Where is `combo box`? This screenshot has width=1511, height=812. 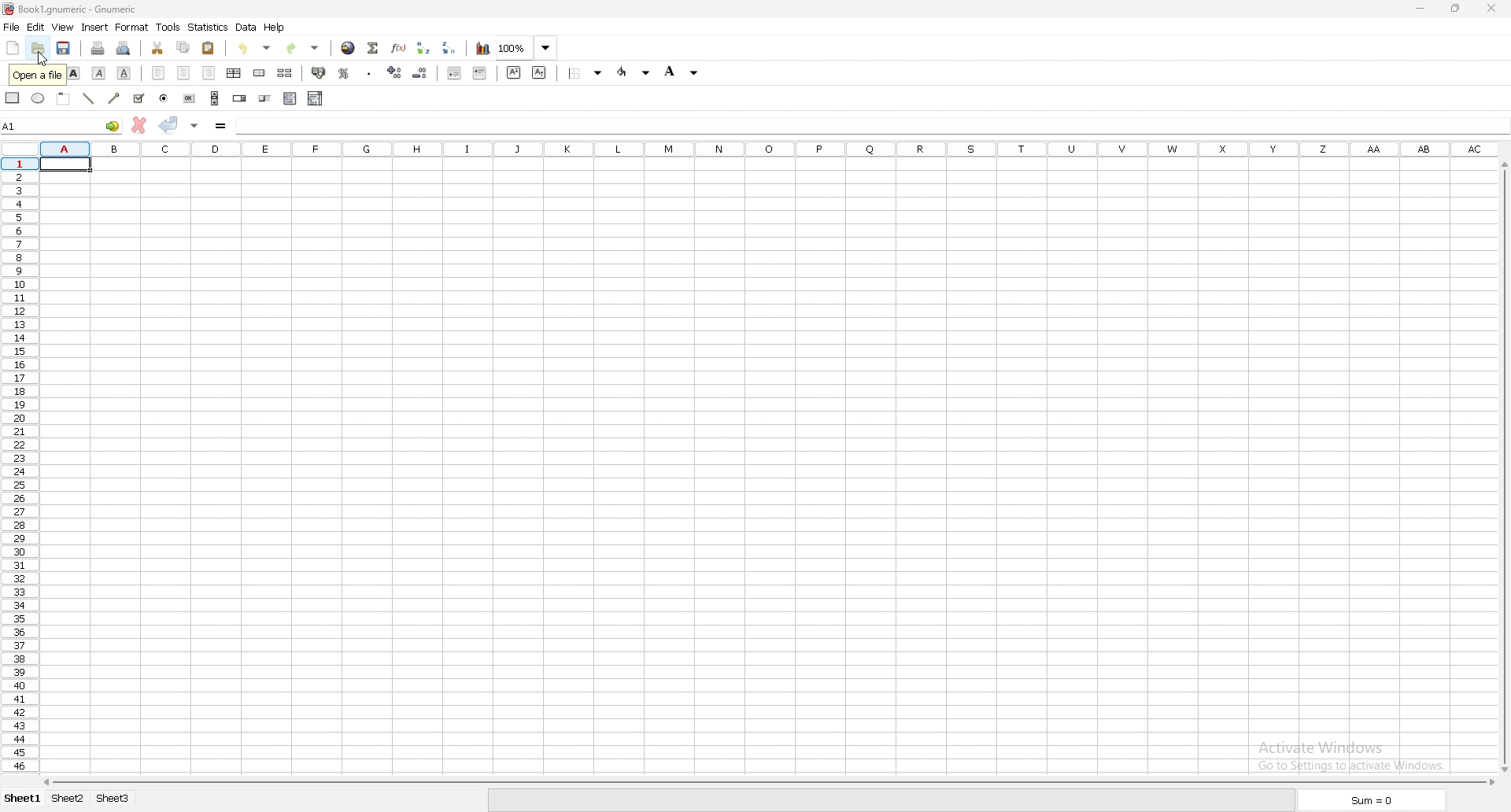
combo box is located at coordinates (316, 98).